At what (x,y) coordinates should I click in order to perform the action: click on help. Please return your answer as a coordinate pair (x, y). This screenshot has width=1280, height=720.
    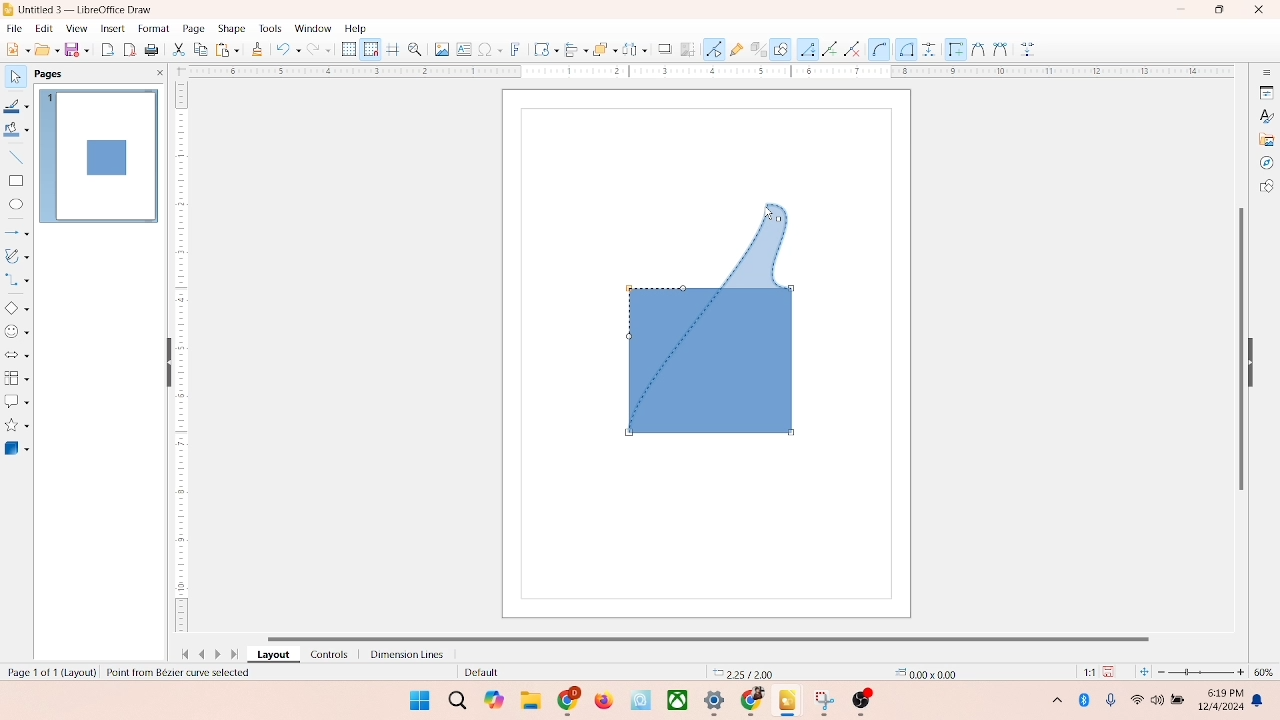
    Looking at the image, I should click on (356, 28).